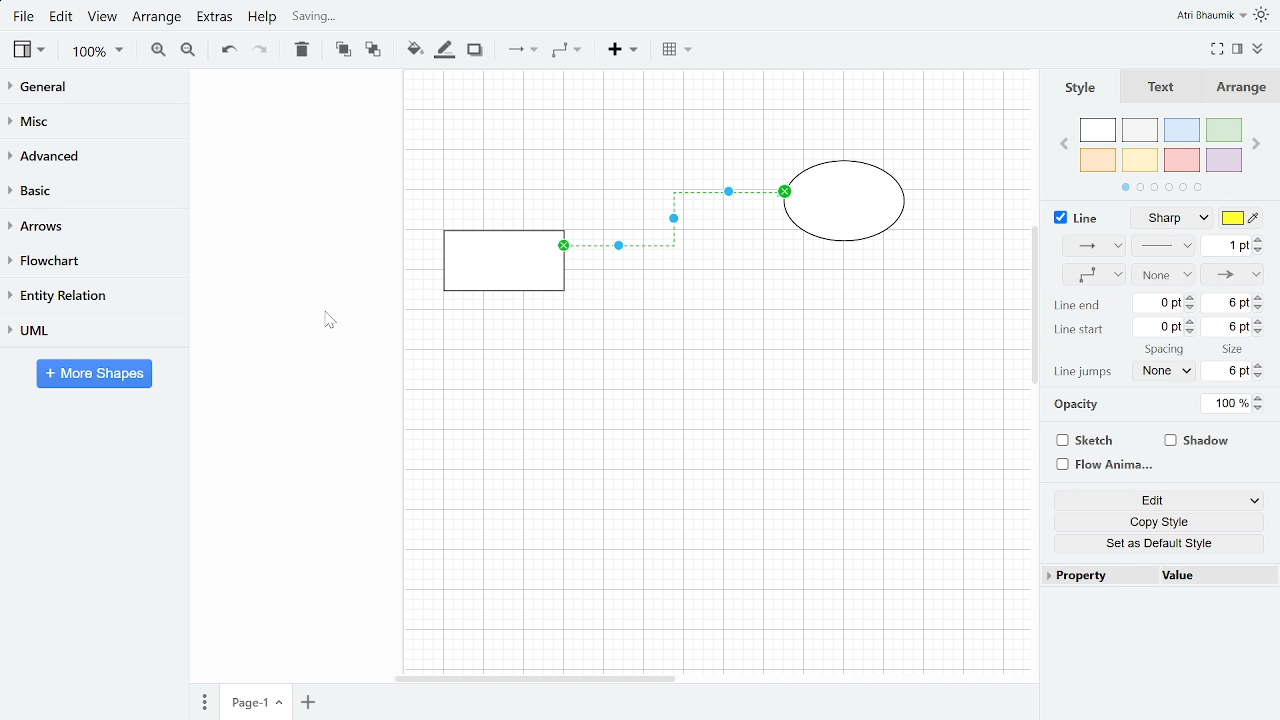 This screenshot has width=1280, height=720. Describe the element at coordinates (1081, 330) in the screenshot. I see `line start` at that location.